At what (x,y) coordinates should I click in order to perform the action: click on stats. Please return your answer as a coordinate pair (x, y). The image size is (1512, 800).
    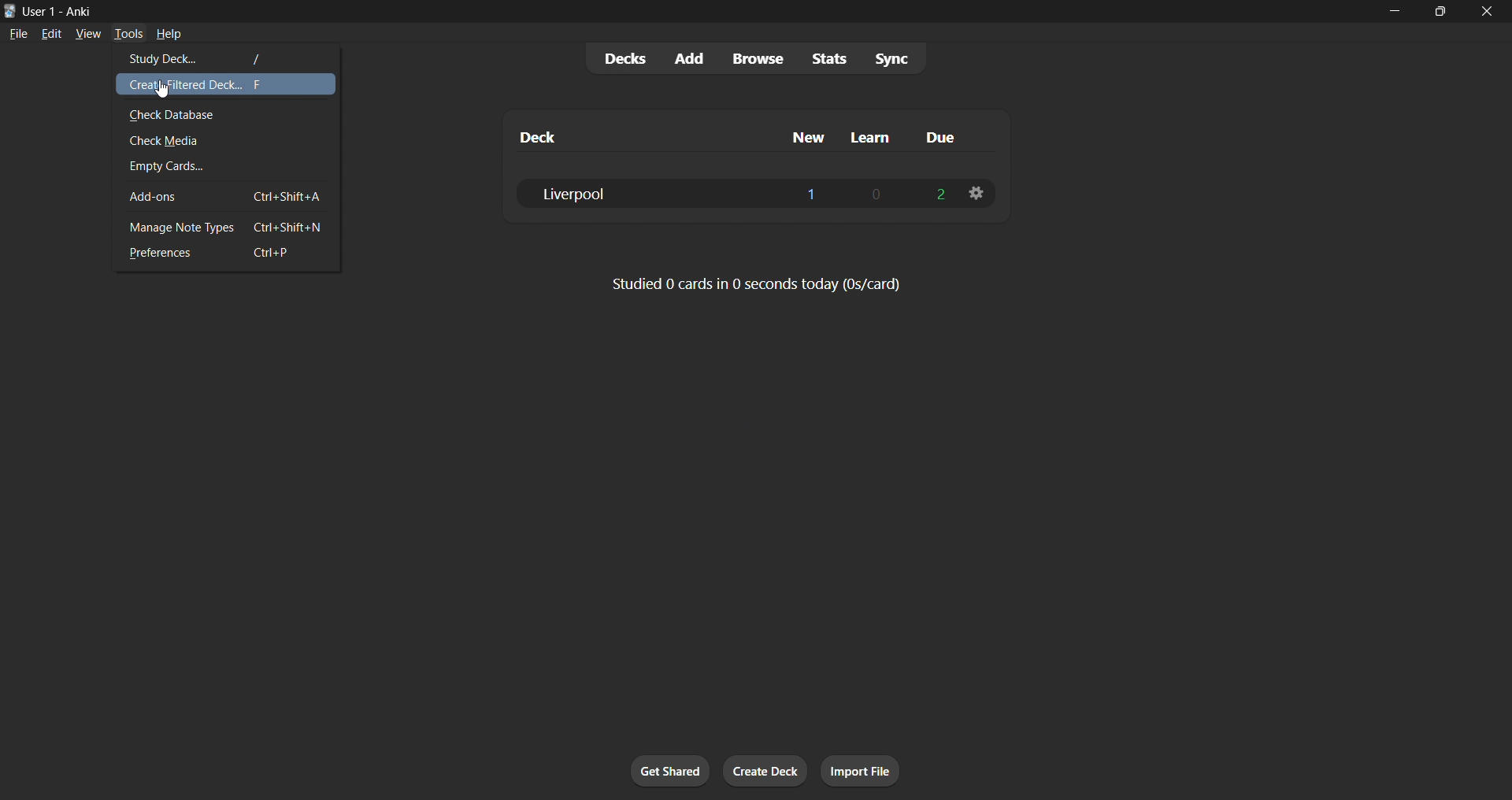
    Looking at the image, I should click on (830, 58).